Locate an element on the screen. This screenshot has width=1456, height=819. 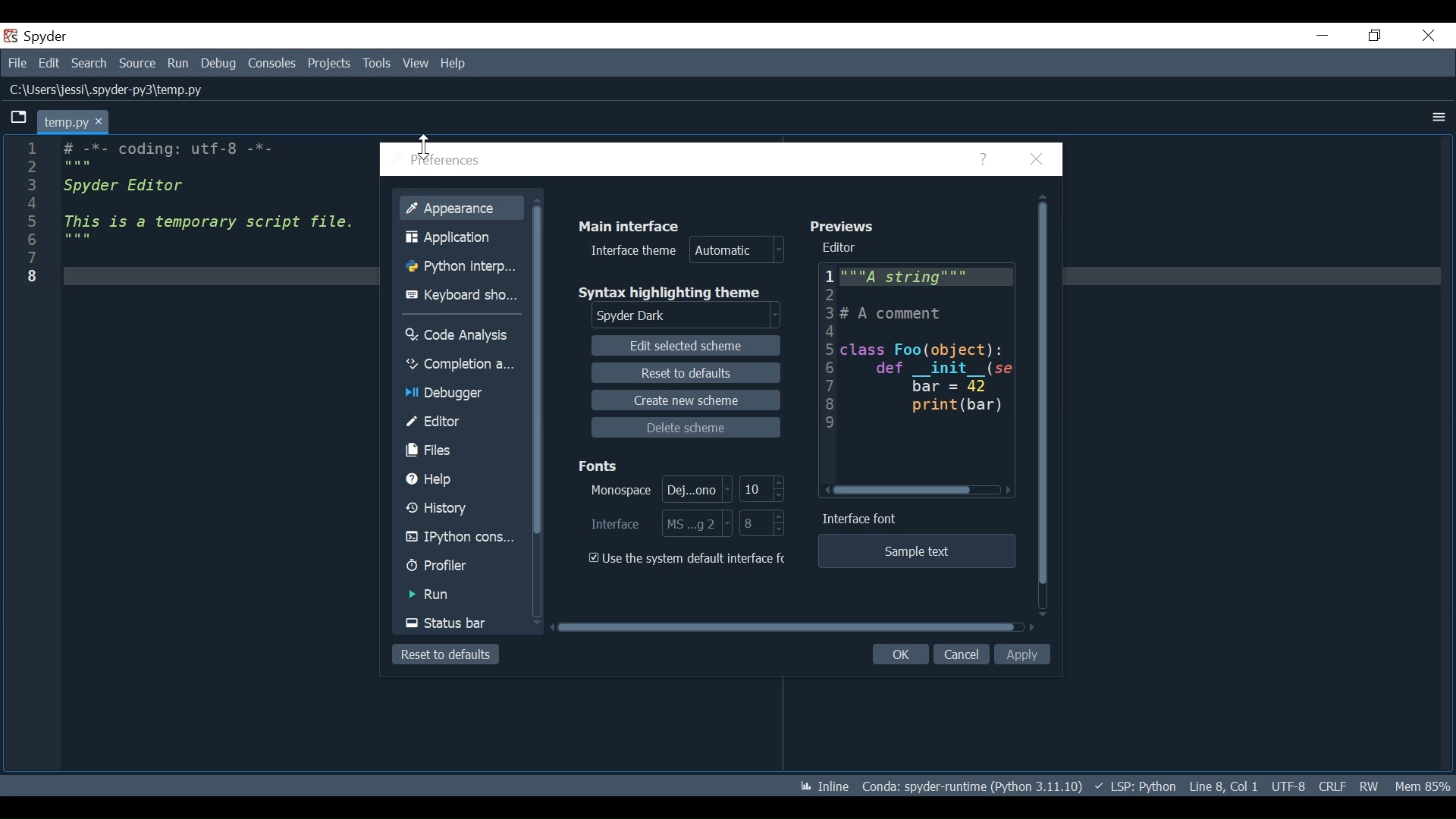
Select Monospace Font Size is located at coordinates (764, 488).